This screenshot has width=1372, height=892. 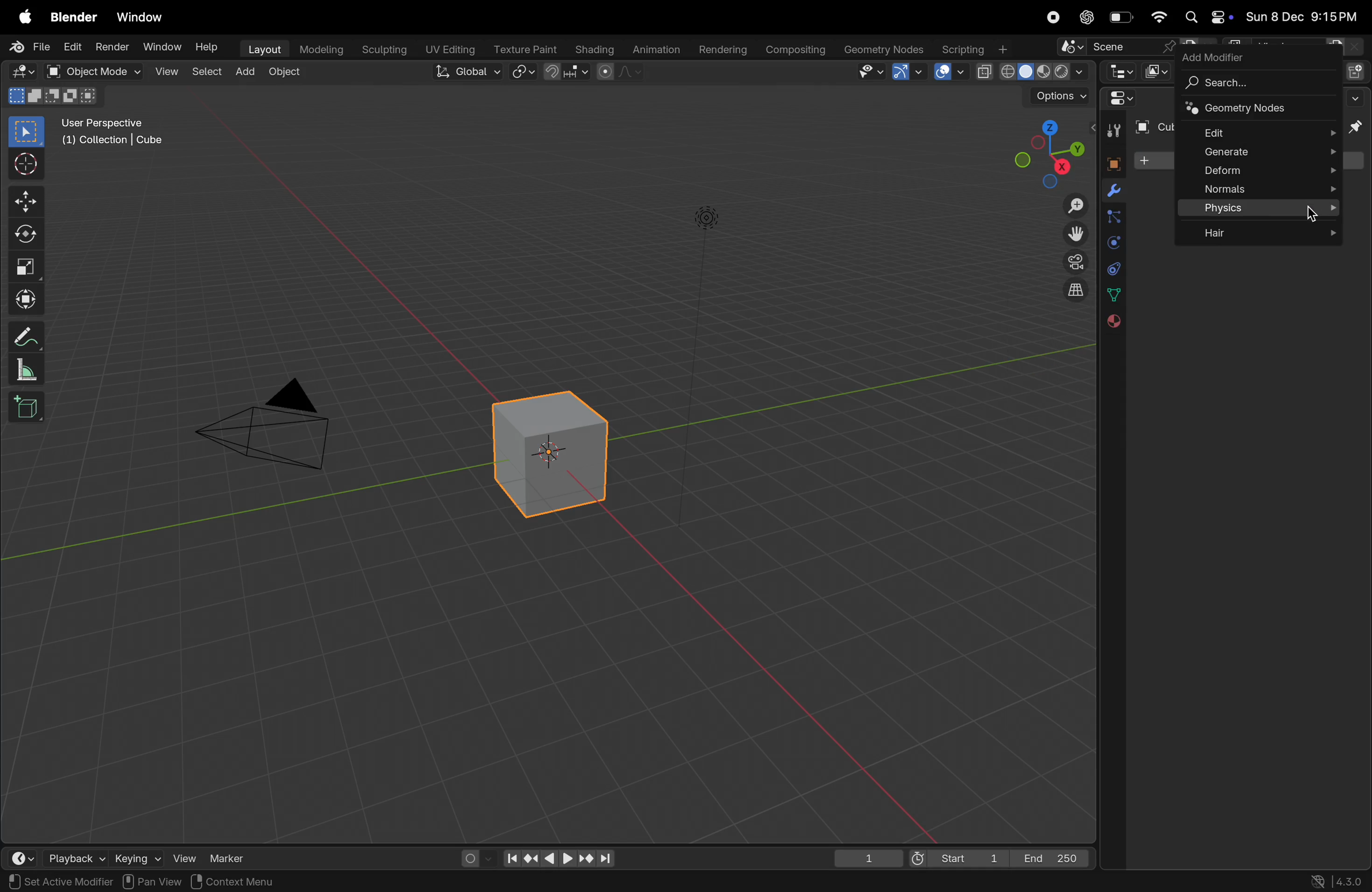 What do you see at coordinates (111, 47) in the screenshot?
I see `render` at bounding box center [111, 47].